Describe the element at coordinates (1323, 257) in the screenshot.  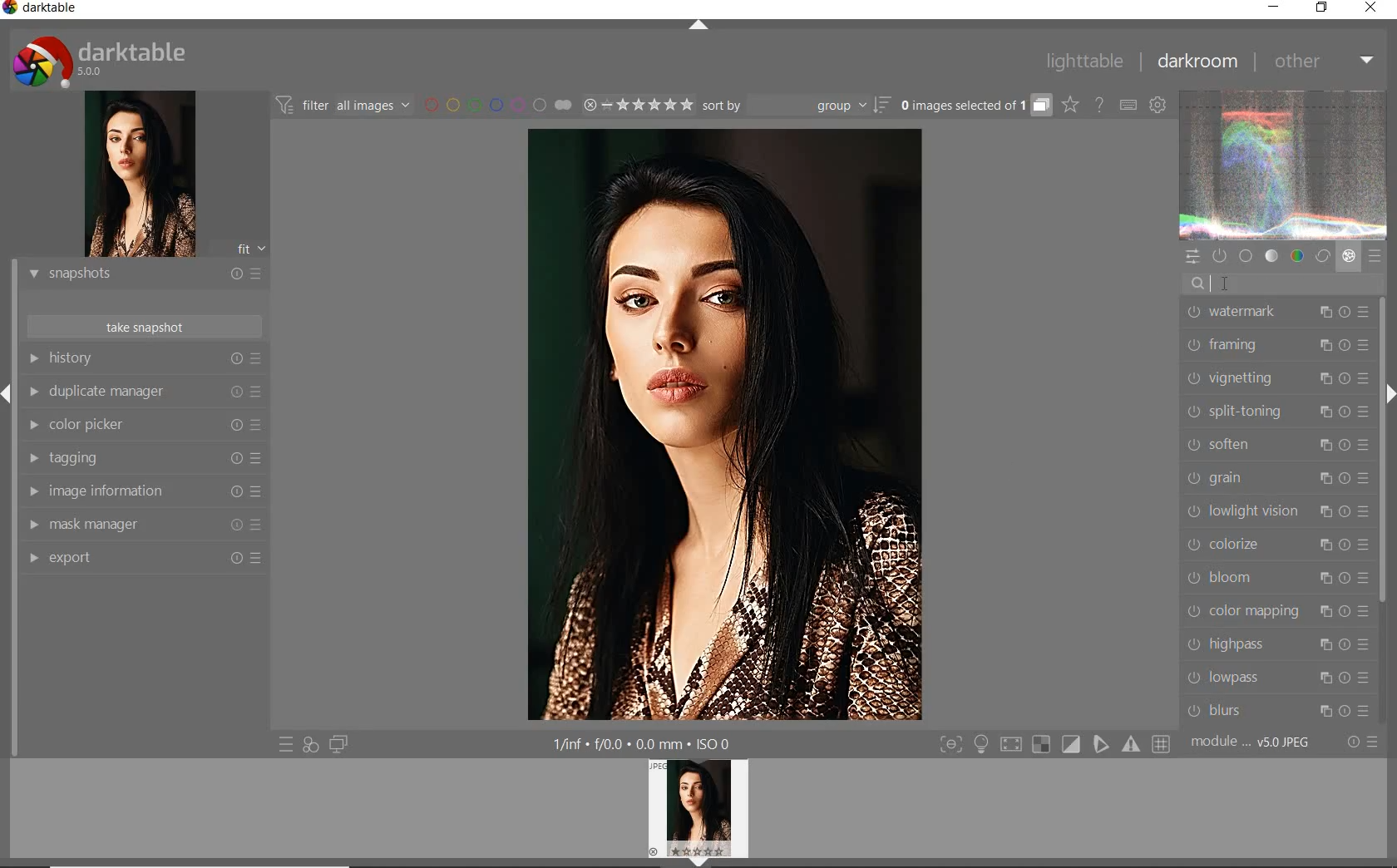
I see `correct` at that location.